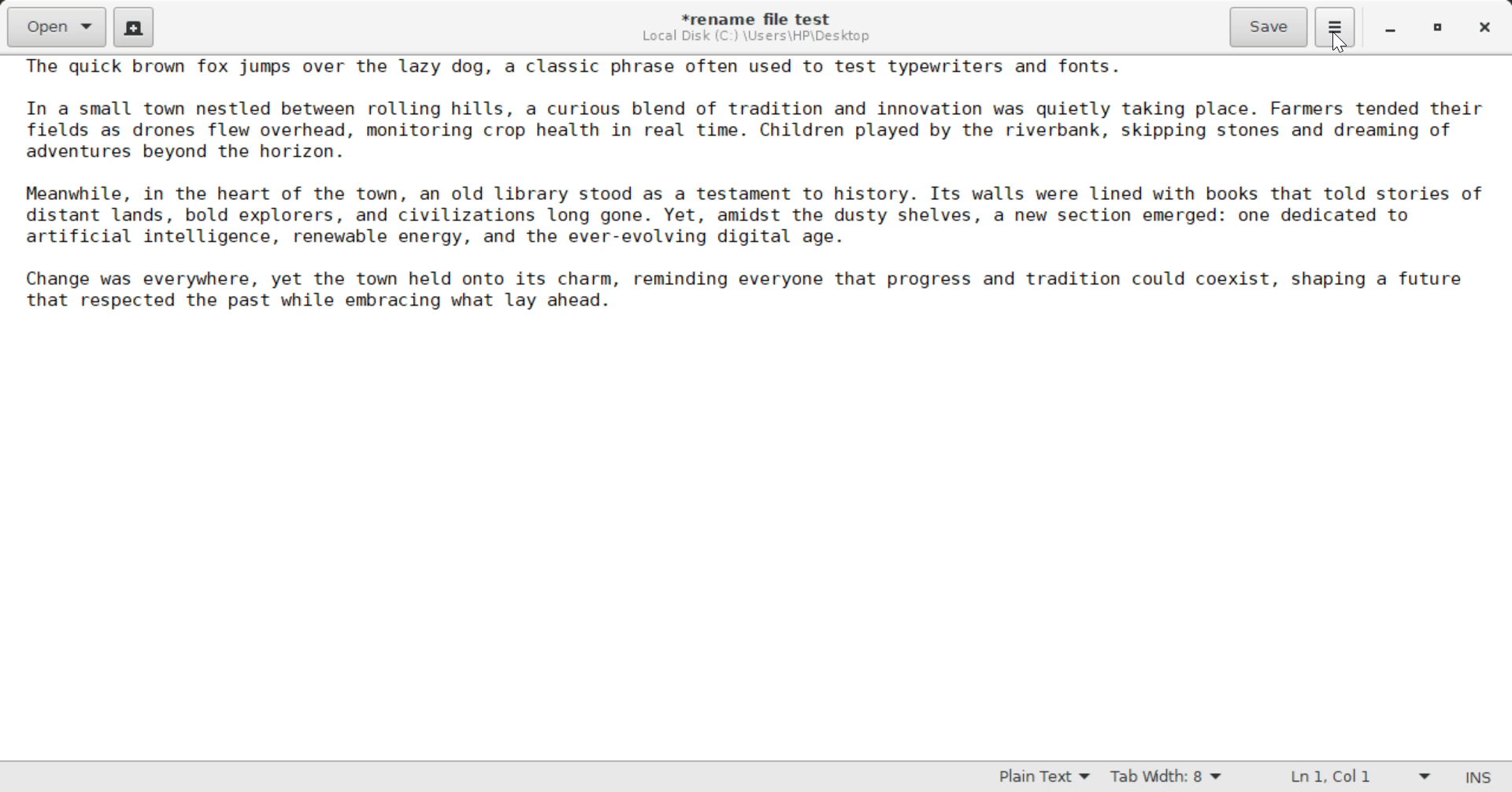 The height and width of the screenshot is (792, 1512). Describe the element at coordinates (757, 37) in the screenshot. I see `File Location` at that location.